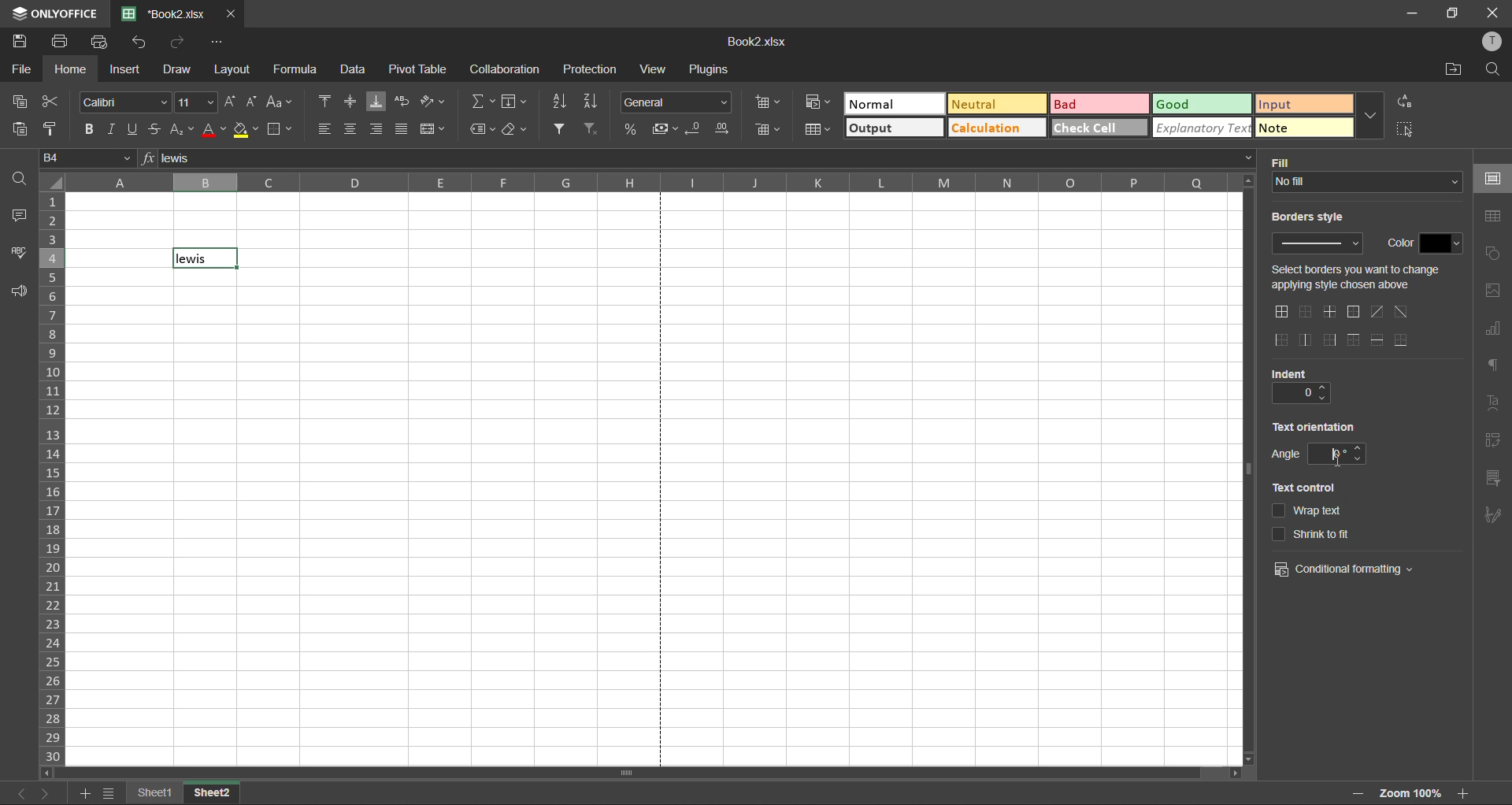 This screenshot has height=805, width=1512. What do you see at coordinates (297, 70) in the screenshot?
I see `formula` at bounding box center [297, 70].